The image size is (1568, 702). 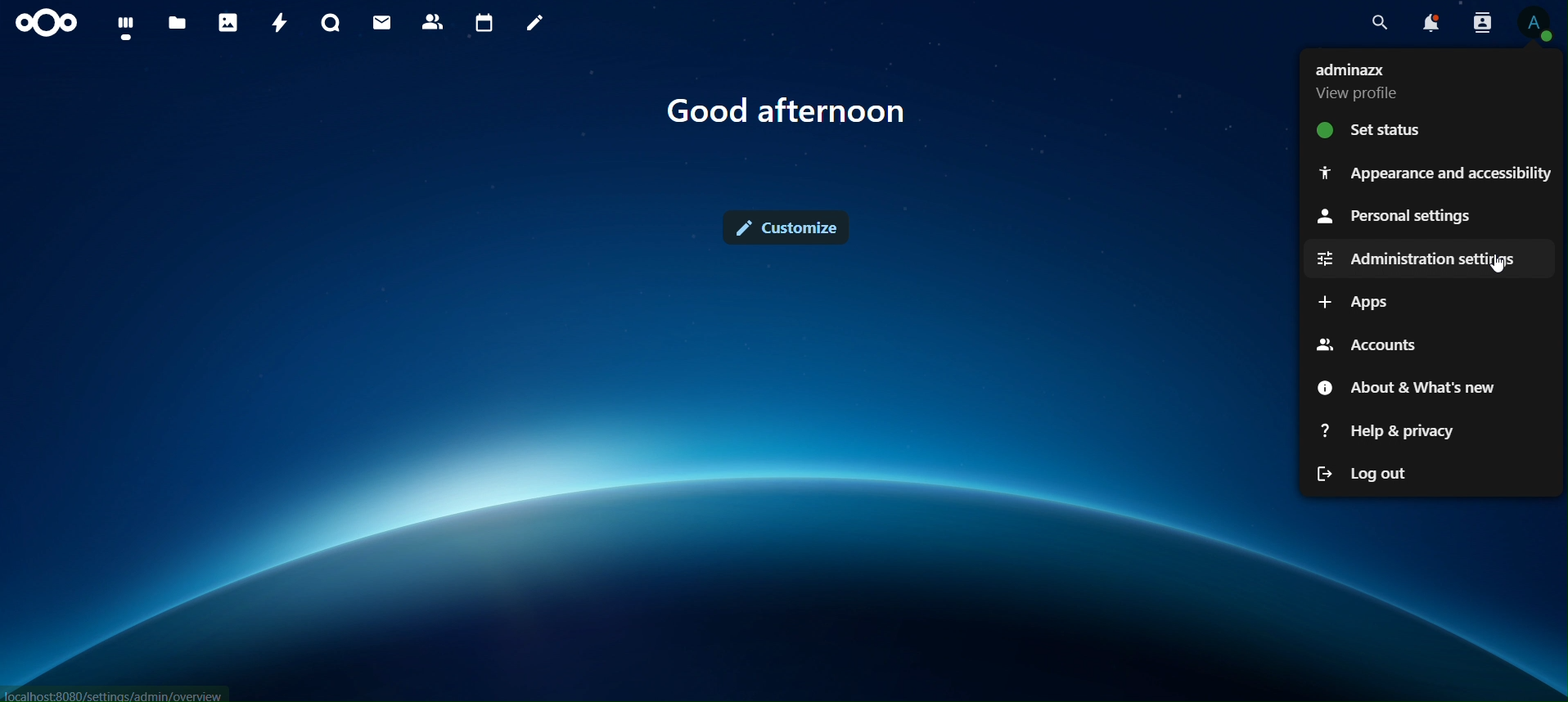 What do you see at coordinates (177, 24) in the screenshot?
I see `files` at bounding box center [177, 24].